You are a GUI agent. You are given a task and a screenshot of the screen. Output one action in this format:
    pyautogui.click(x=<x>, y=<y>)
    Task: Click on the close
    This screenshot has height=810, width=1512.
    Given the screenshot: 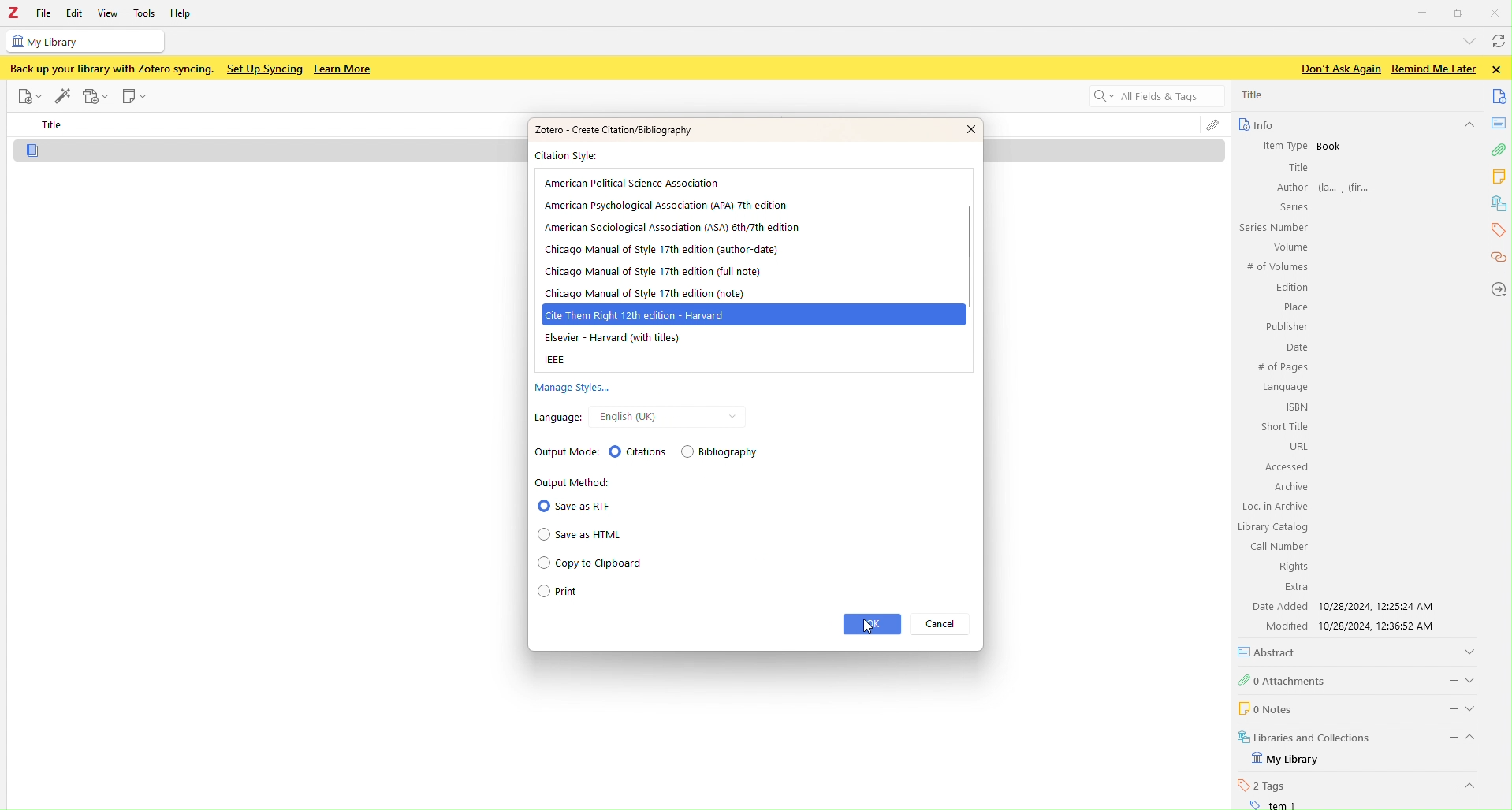 What is the action you would take?
    pyautogui.click(x=959, y=129)
    